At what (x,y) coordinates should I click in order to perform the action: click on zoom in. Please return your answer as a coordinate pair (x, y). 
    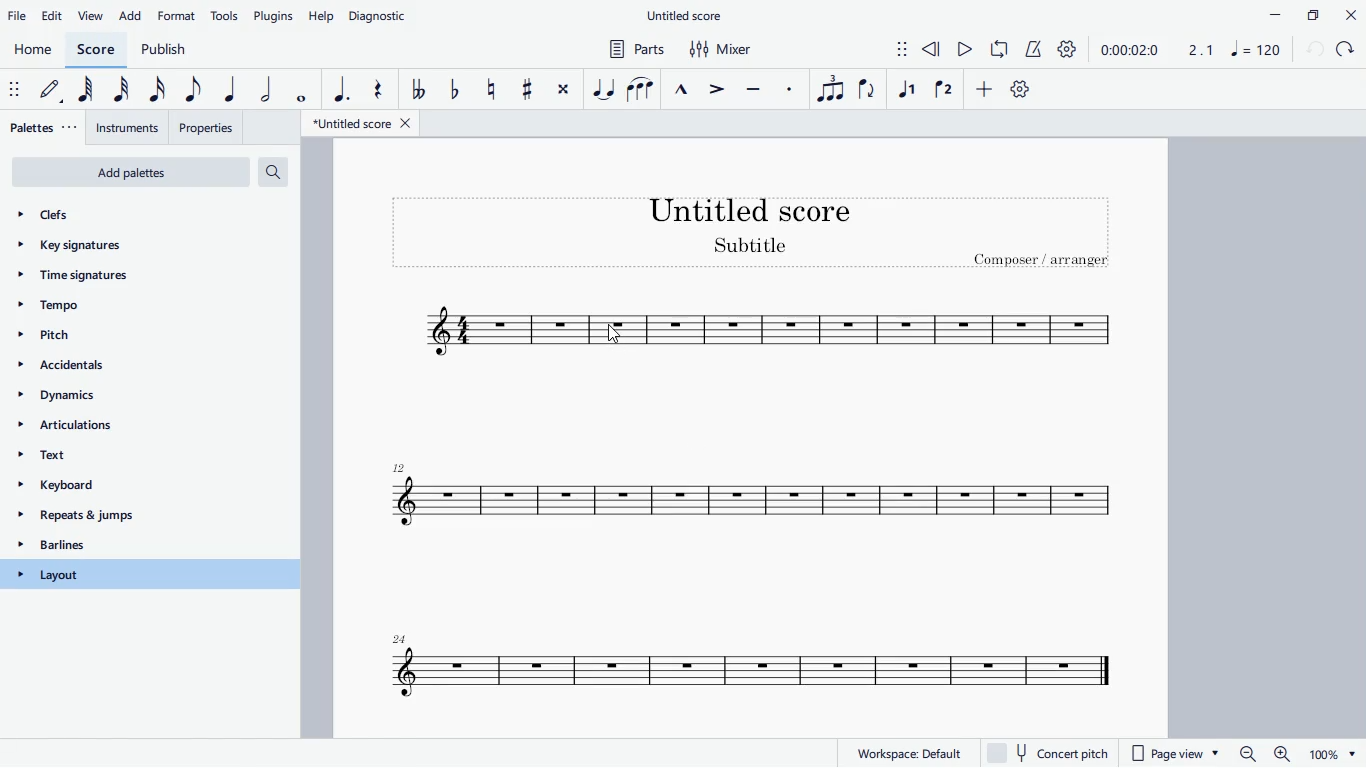
    Looking at the image, I should click on (1280, 754).